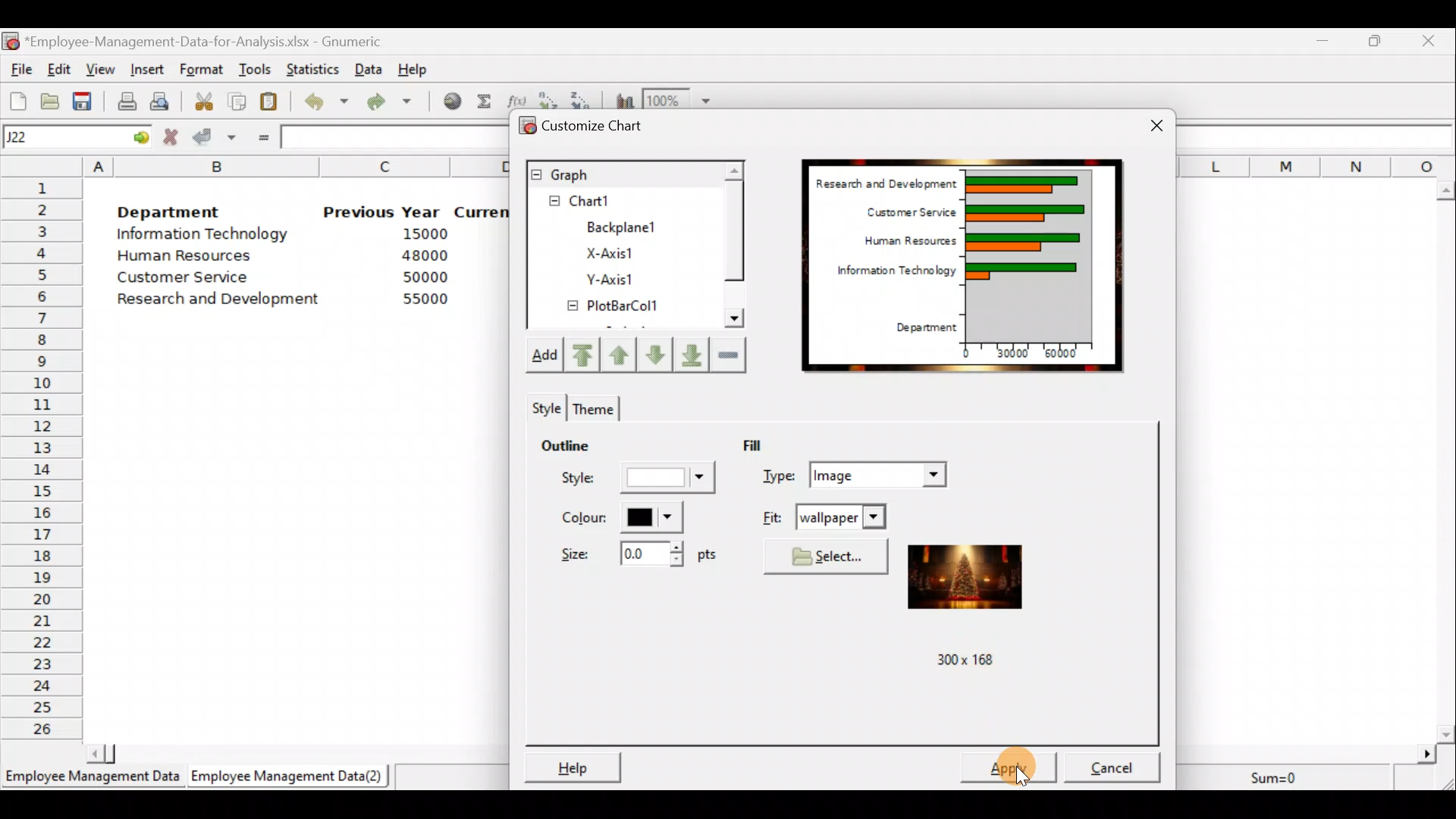 The width and height of the screenshot is (1456, 819). What do you see at coordinates (883, 180) in the screenshot?
I see `Research and Development` at bounding box center [883, 180].